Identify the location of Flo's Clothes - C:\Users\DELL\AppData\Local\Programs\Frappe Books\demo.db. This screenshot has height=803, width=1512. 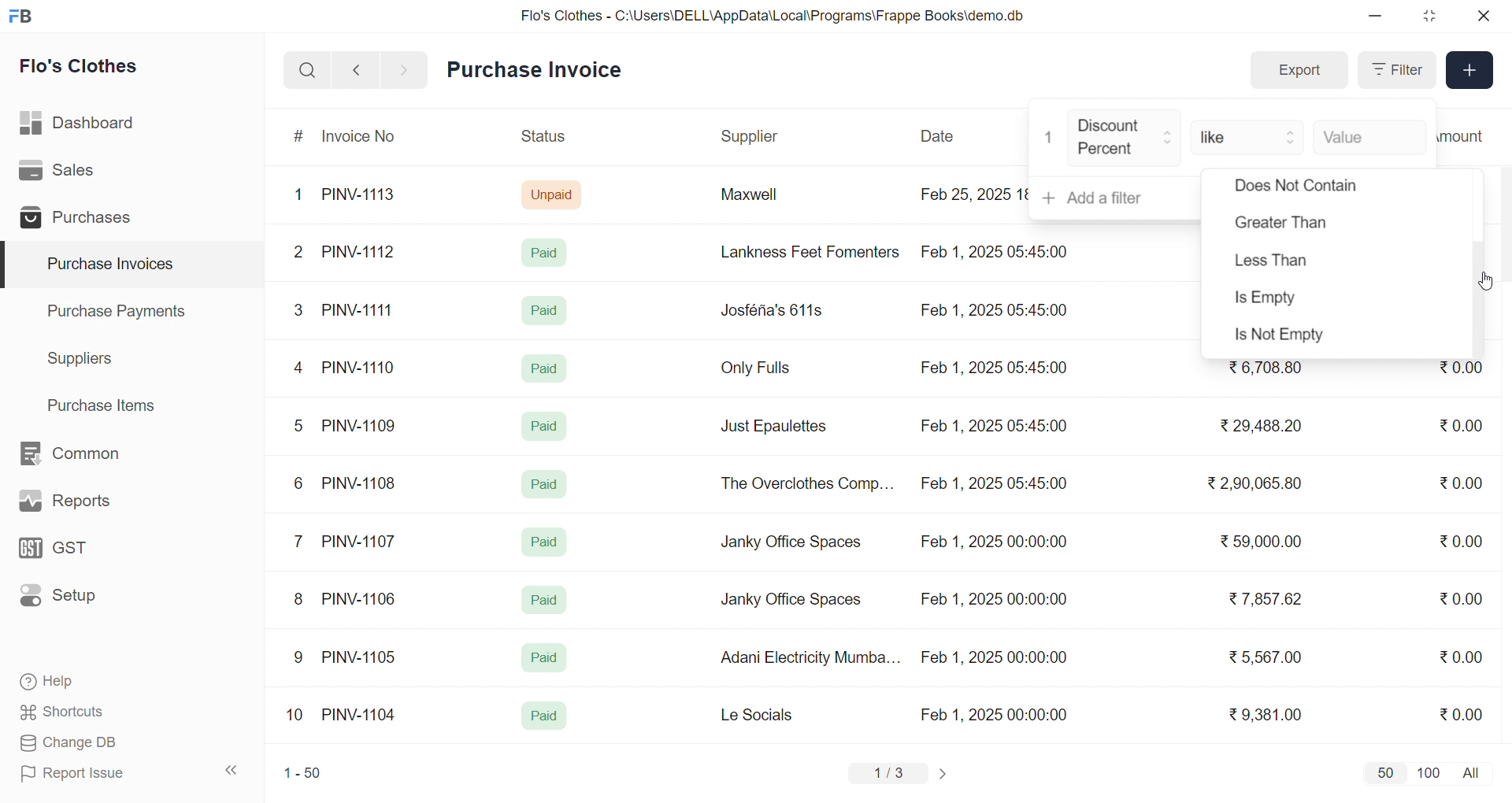
(773, 16).